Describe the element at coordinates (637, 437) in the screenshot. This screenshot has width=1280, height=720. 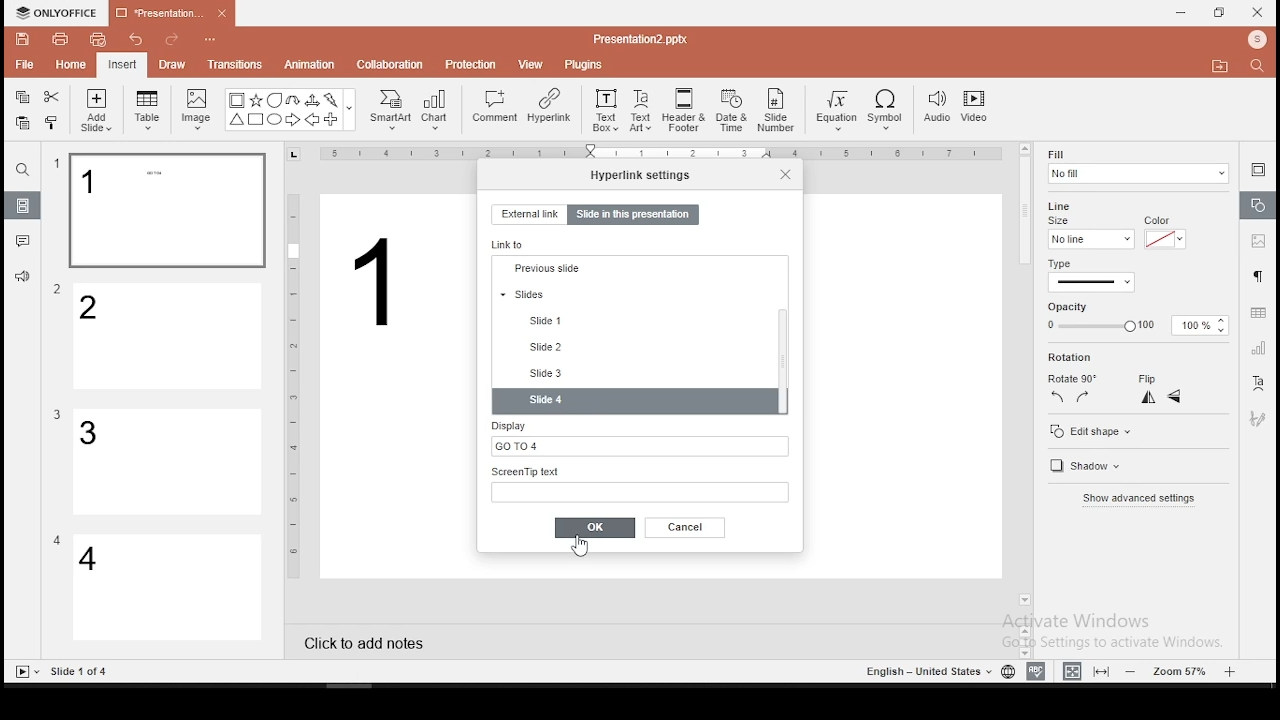
I see `display` at that location.